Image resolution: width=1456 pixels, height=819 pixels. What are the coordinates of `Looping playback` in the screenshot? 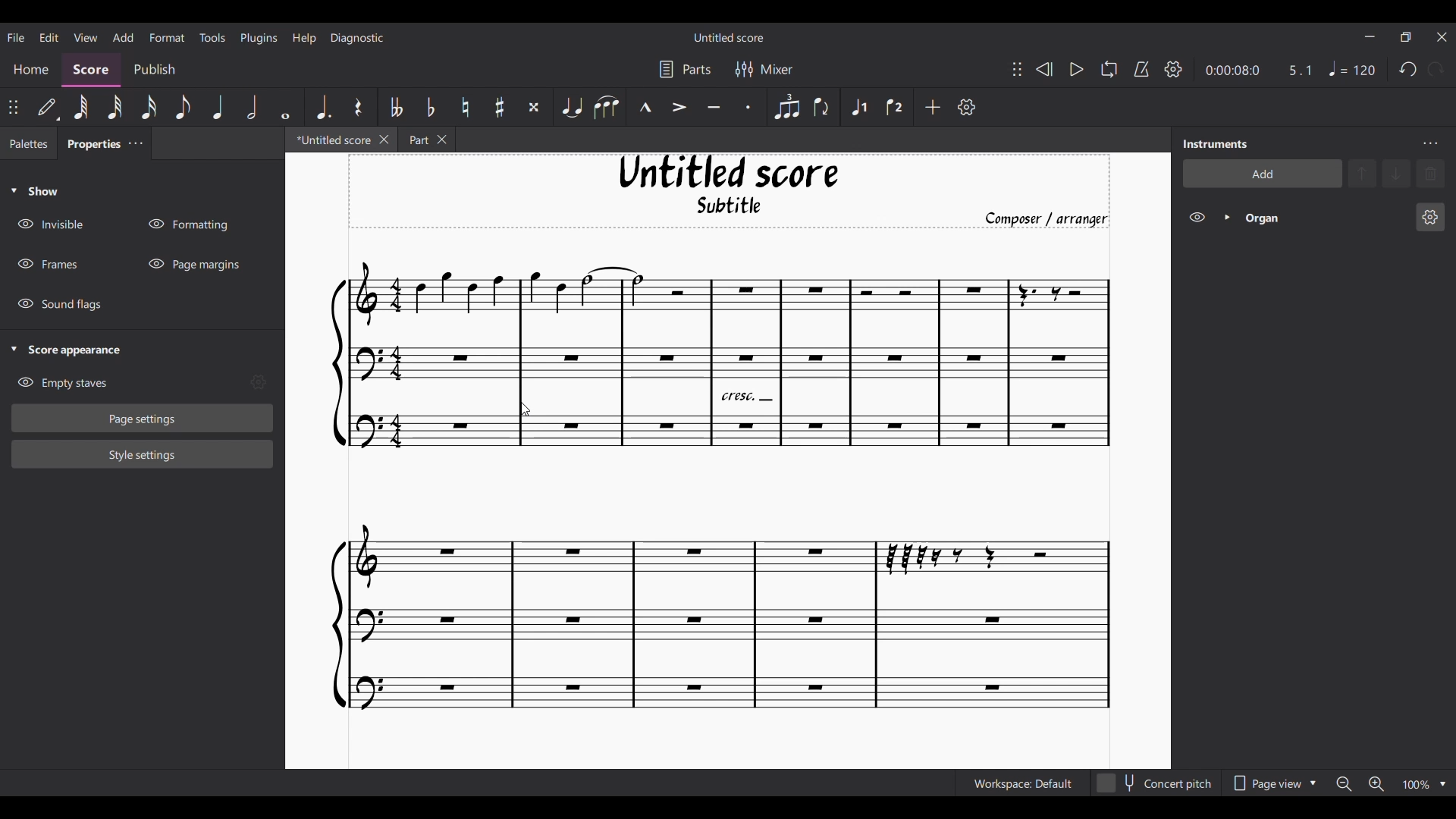 It's located at (1108, 69).